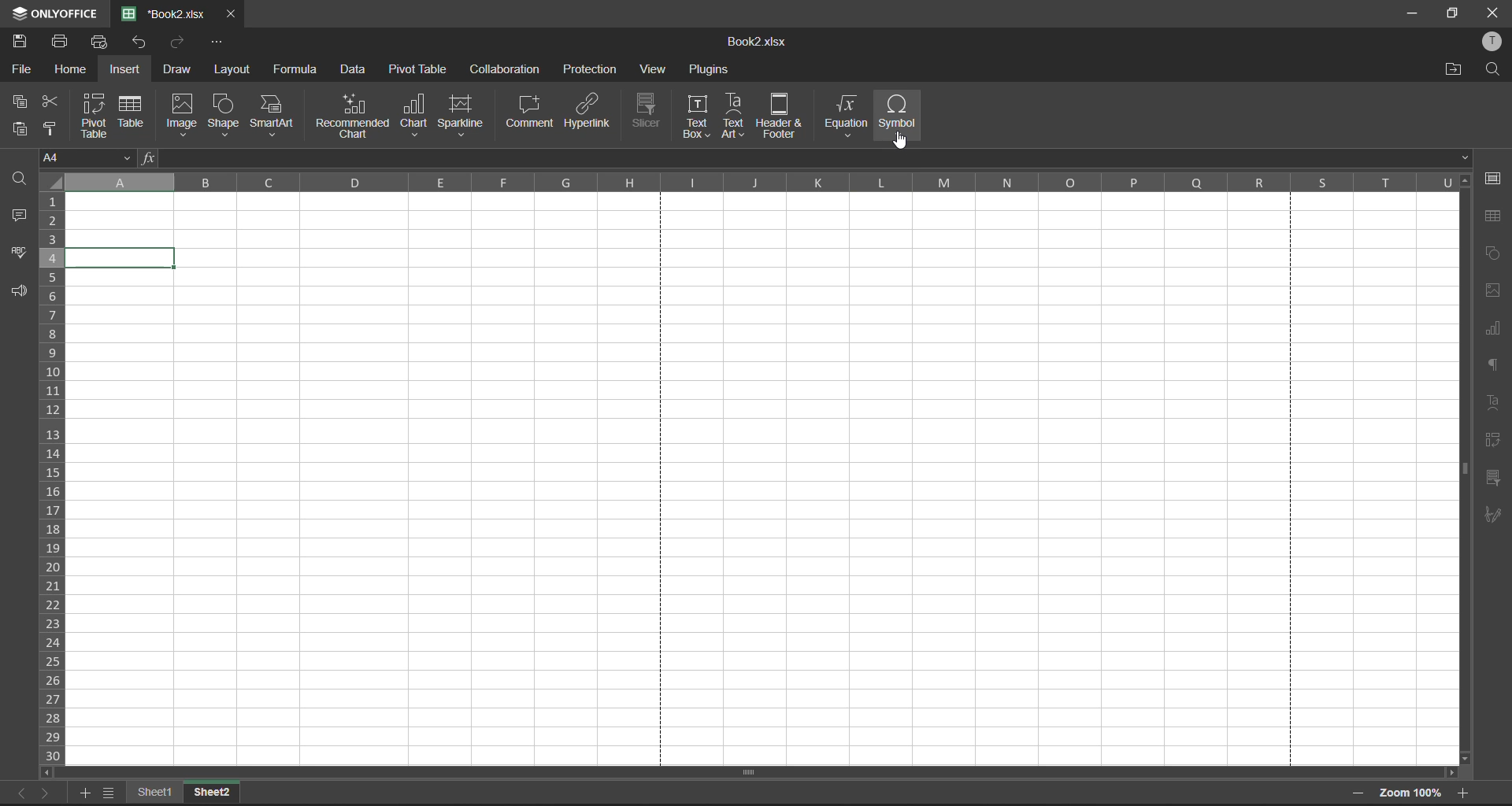 The image size is (1512, 806). Describe the element at coordinates (462, 115) in the screenshot. I see `sparkline` at that location.